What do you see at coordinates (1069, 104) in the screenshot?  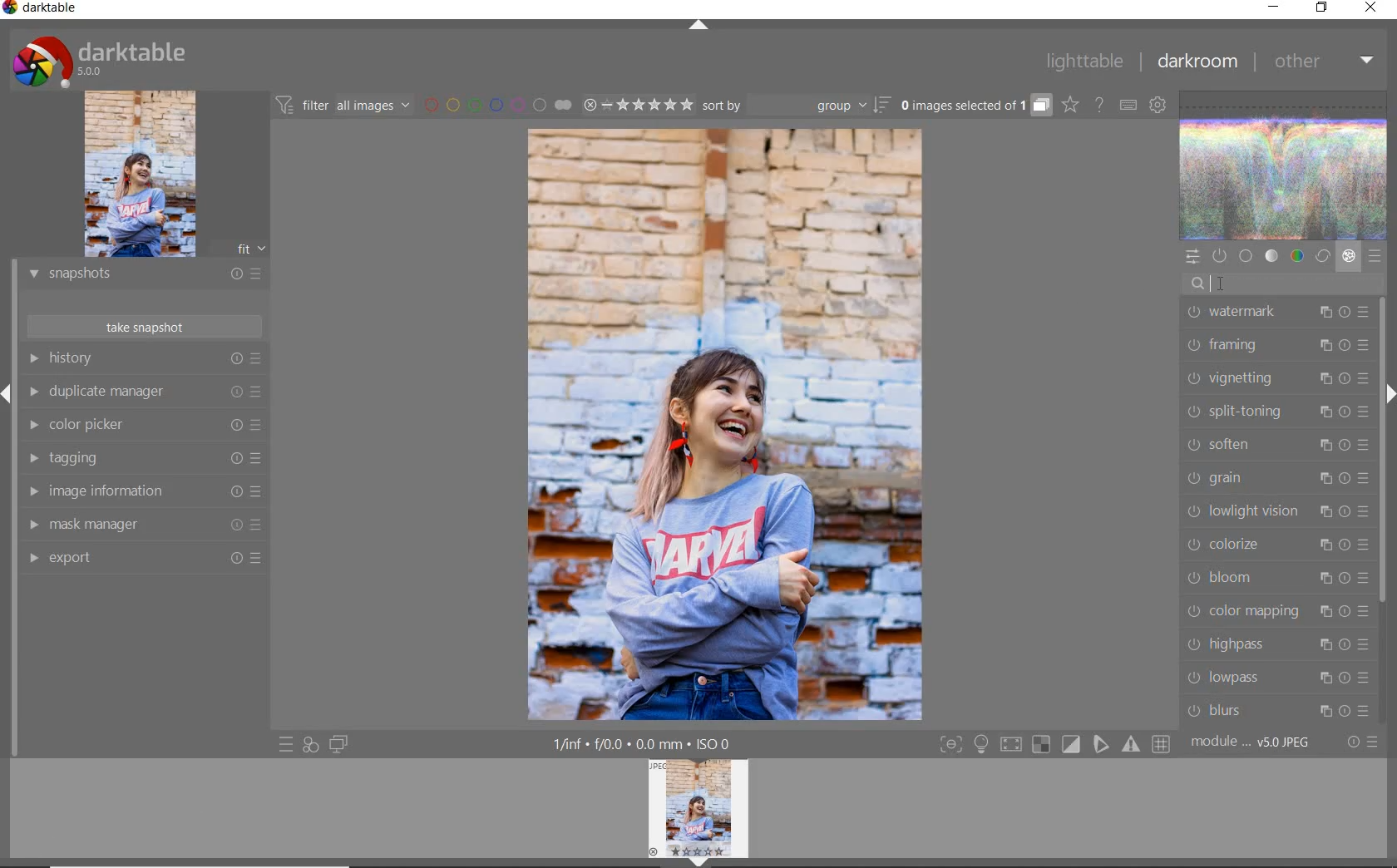 I see `click to change overlays on thumbnails` at bounding box center [1069, 104].